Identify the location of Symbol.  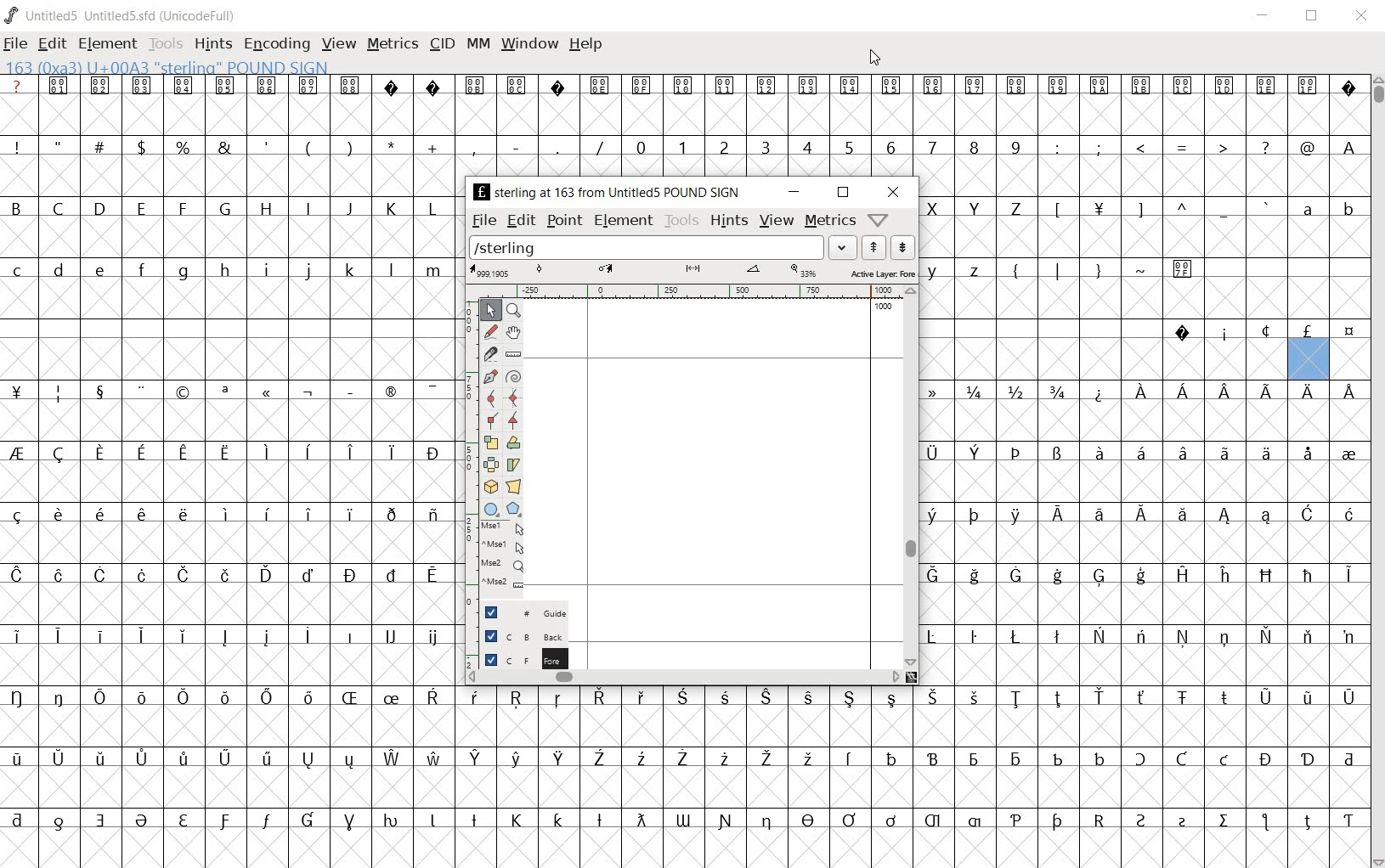
(141, 454).